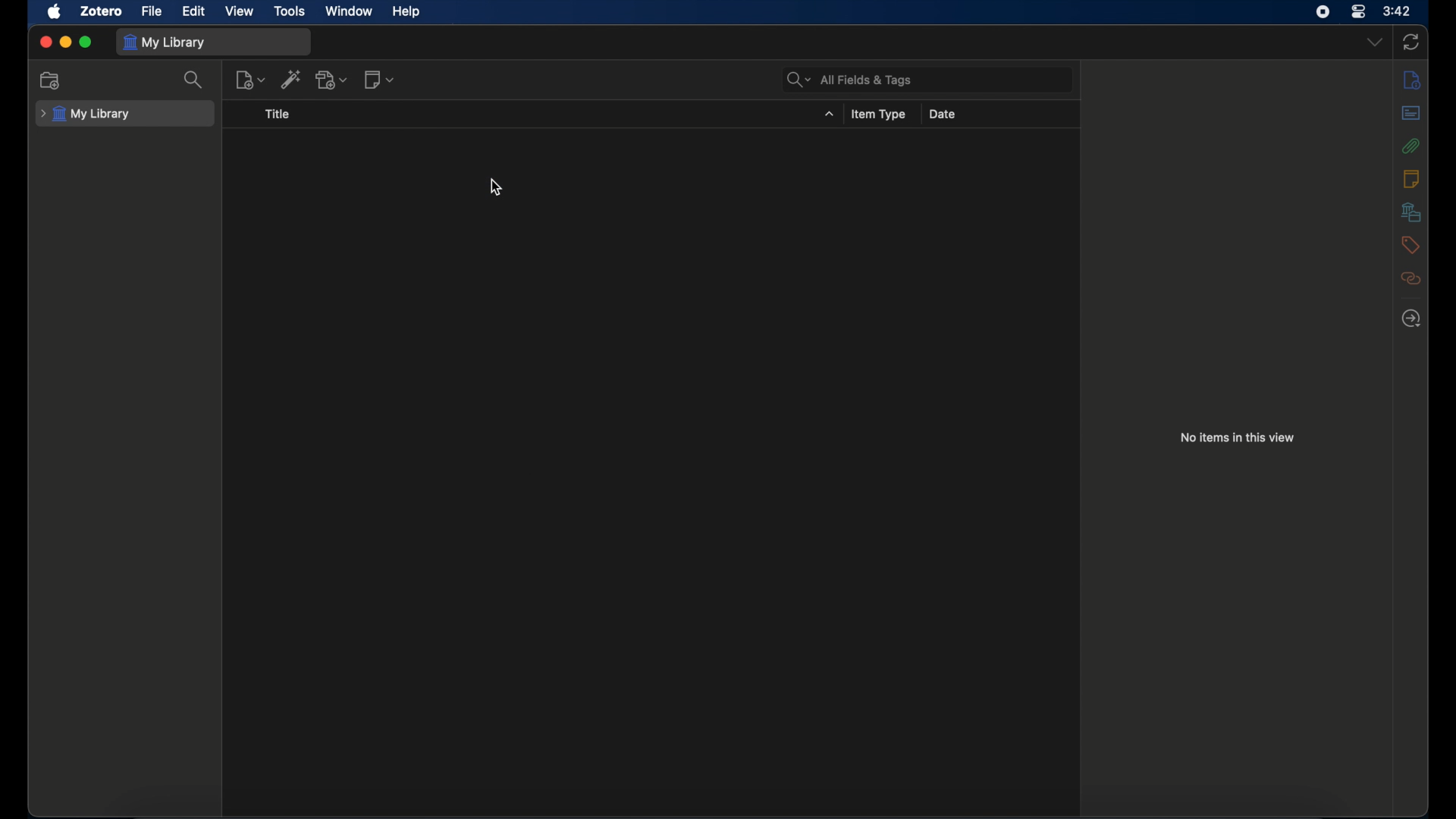  What do you see at coordinates (278, 113) in the screenshot?
I see `title` at bounding box center [278, 113].